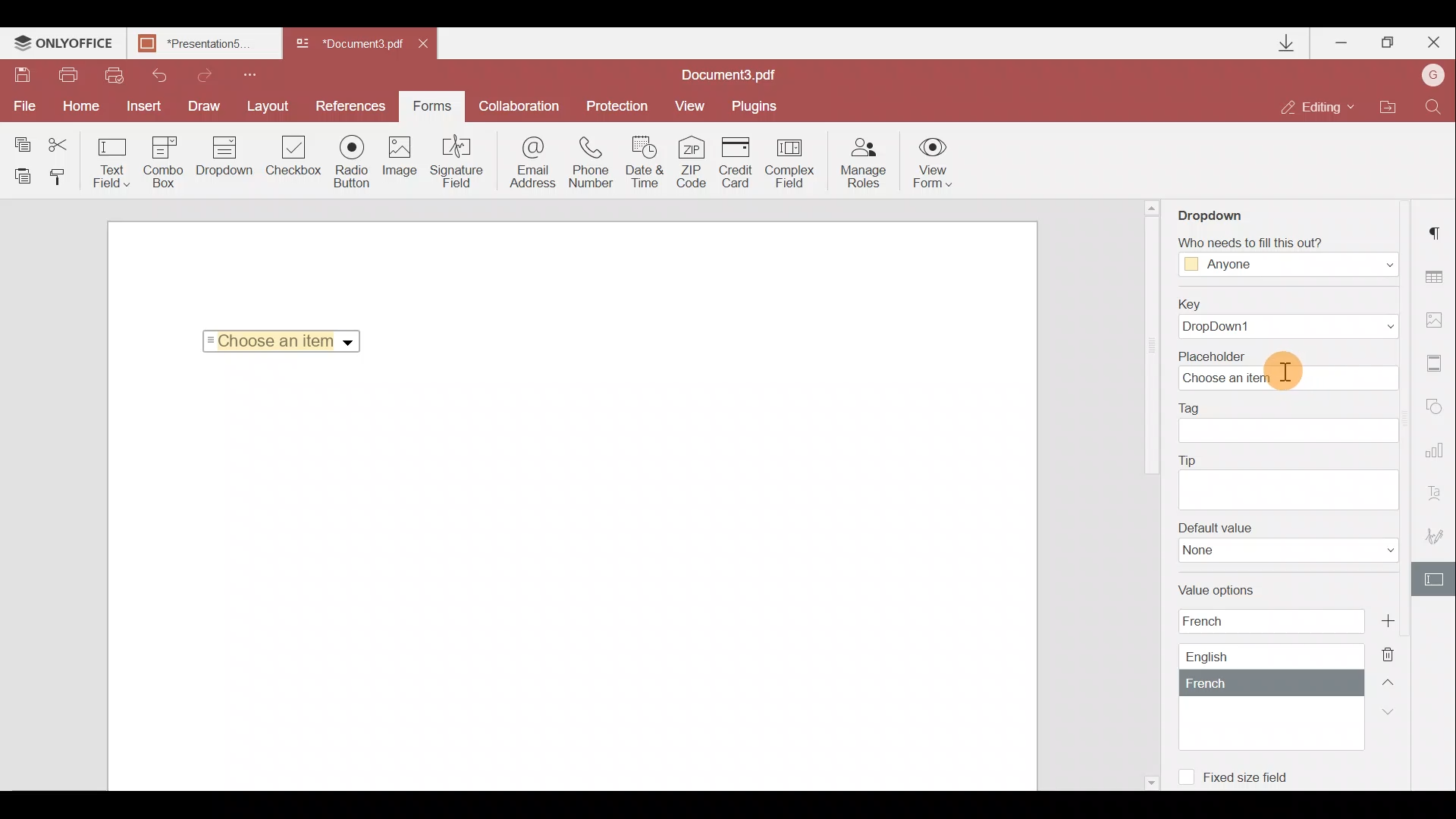  Describe the element at coordinates (352, 161) in the screenshot. I see `Radio button` at that location.